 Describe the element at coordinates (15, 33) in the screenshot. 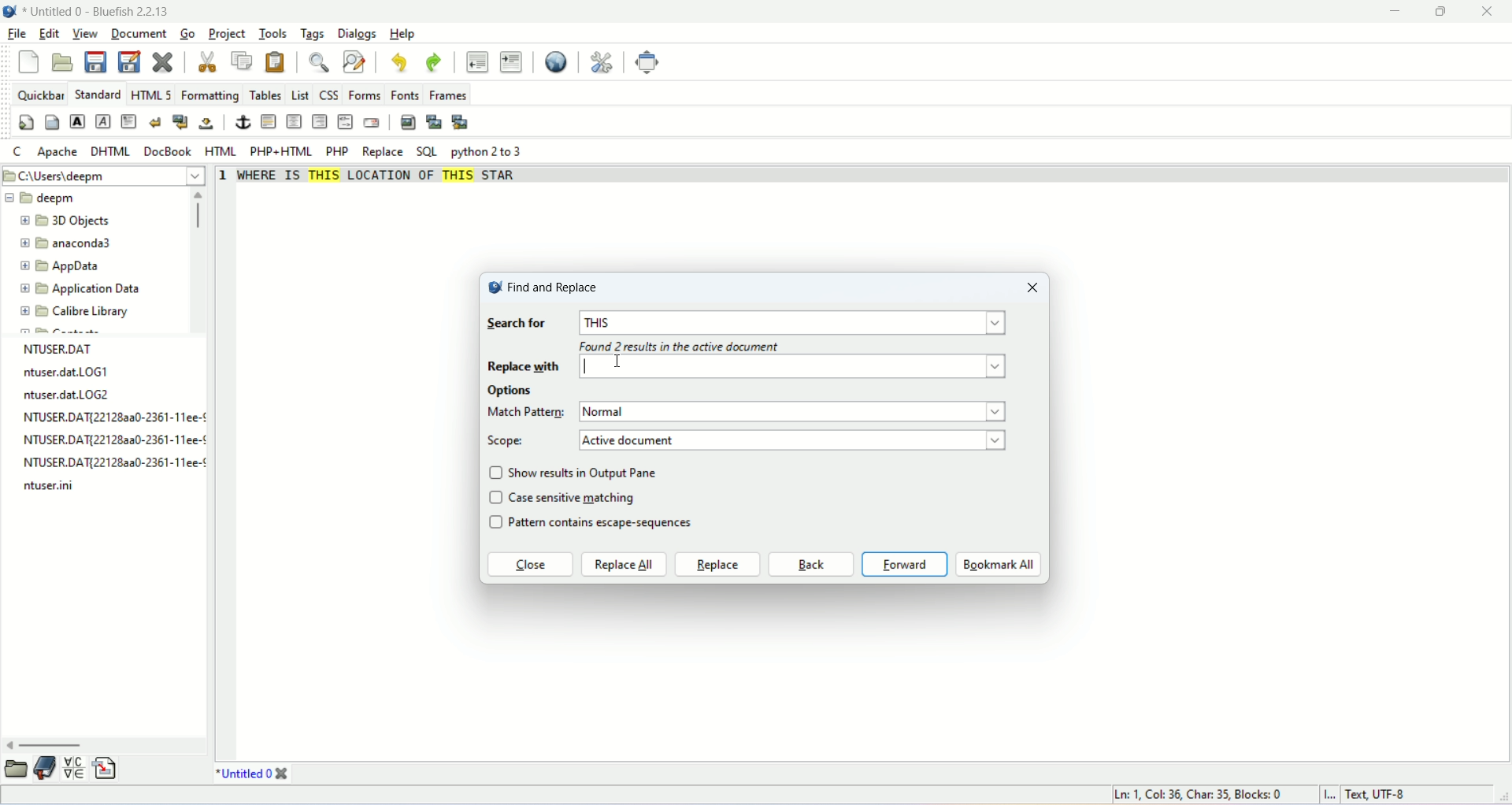

I see `file` at that location.